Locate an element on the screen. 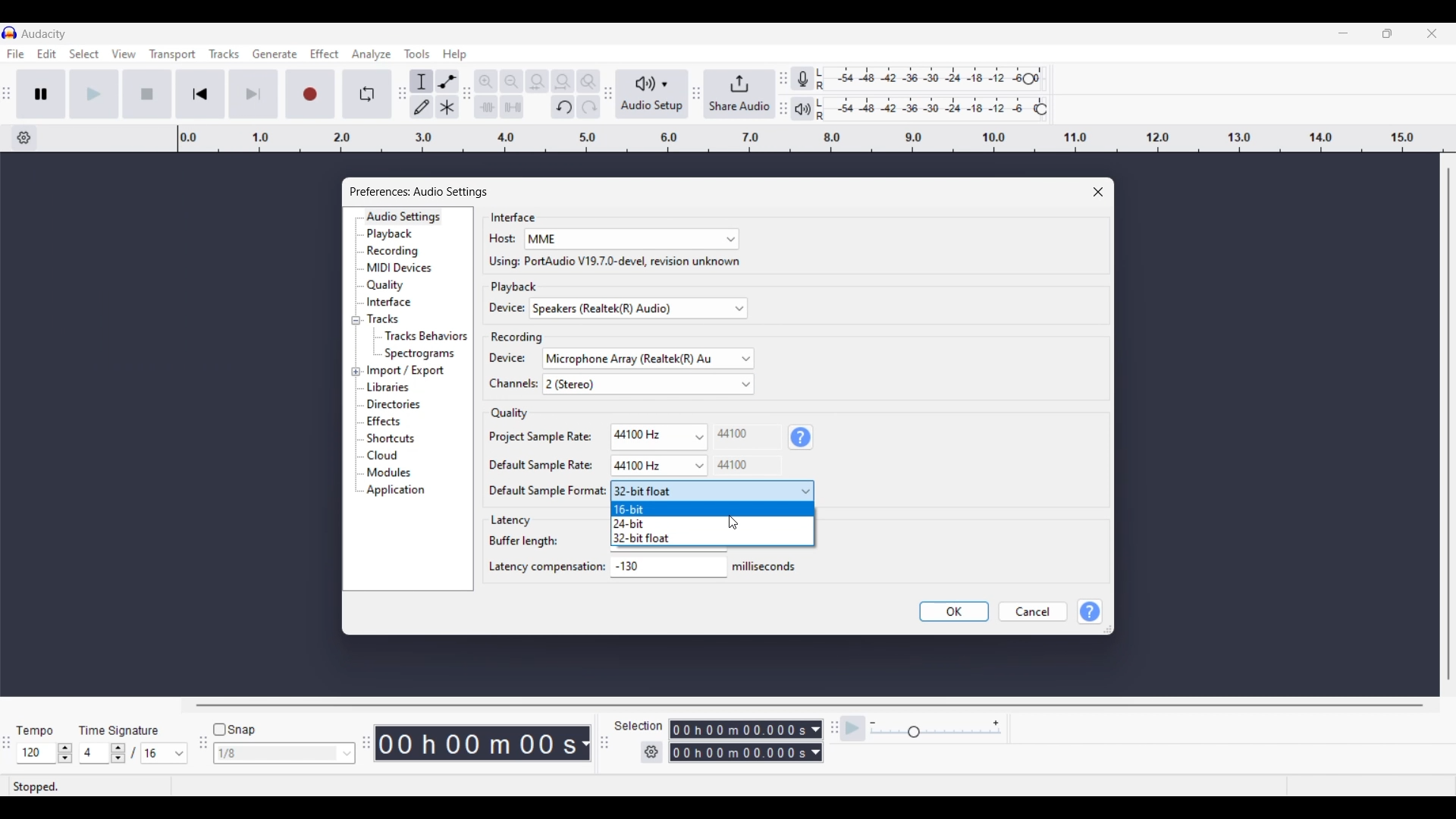 This screenshot has width=1456, height=819. Pause is located at coordinates (41, 93).